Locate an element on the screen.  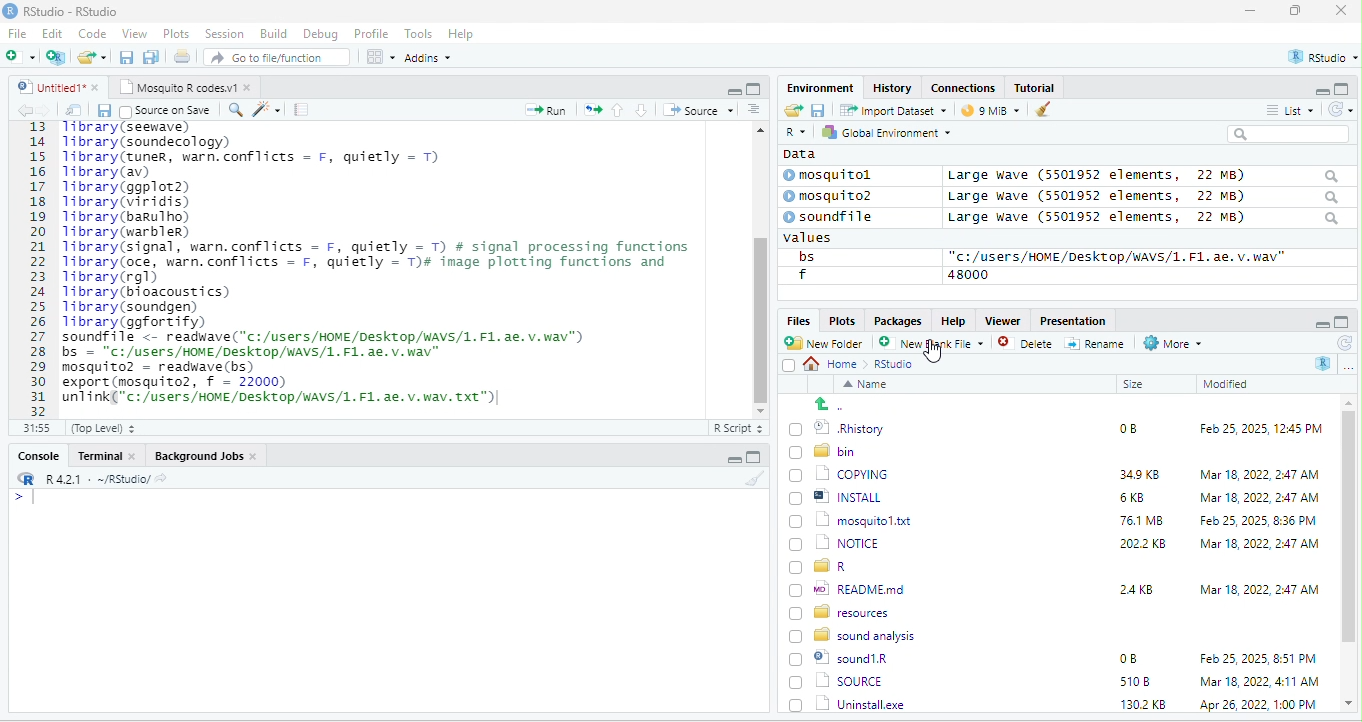
RR R421 - ~/RStudio/ is located at coordinates (87, 481).